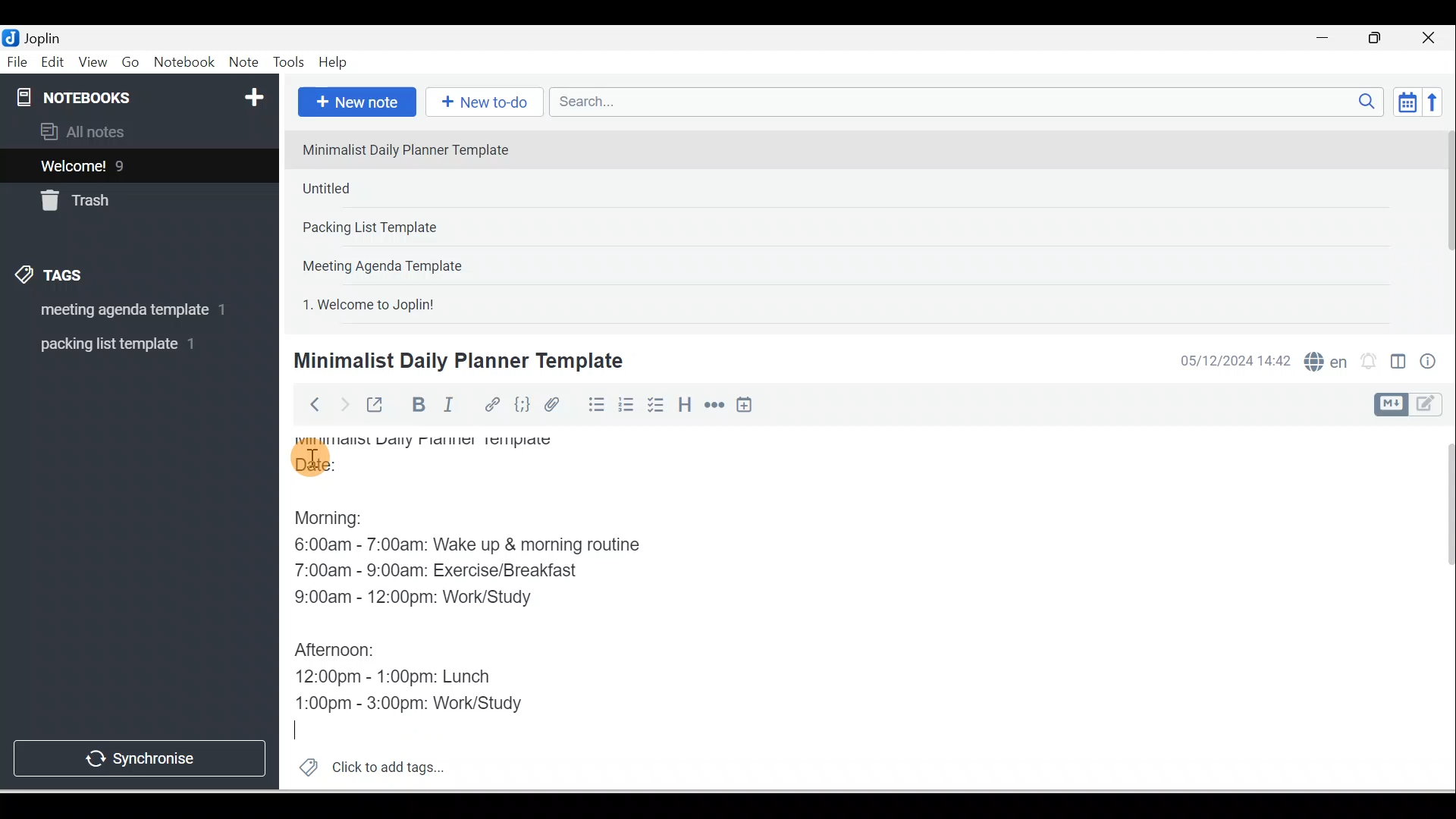 Image resolution: width=1456 pixels, height=819 pixels. What do you see at coordinates (1414, 405) in the screenshot?
I see `Toggle editor layout` at bounding box center [1414, 405].